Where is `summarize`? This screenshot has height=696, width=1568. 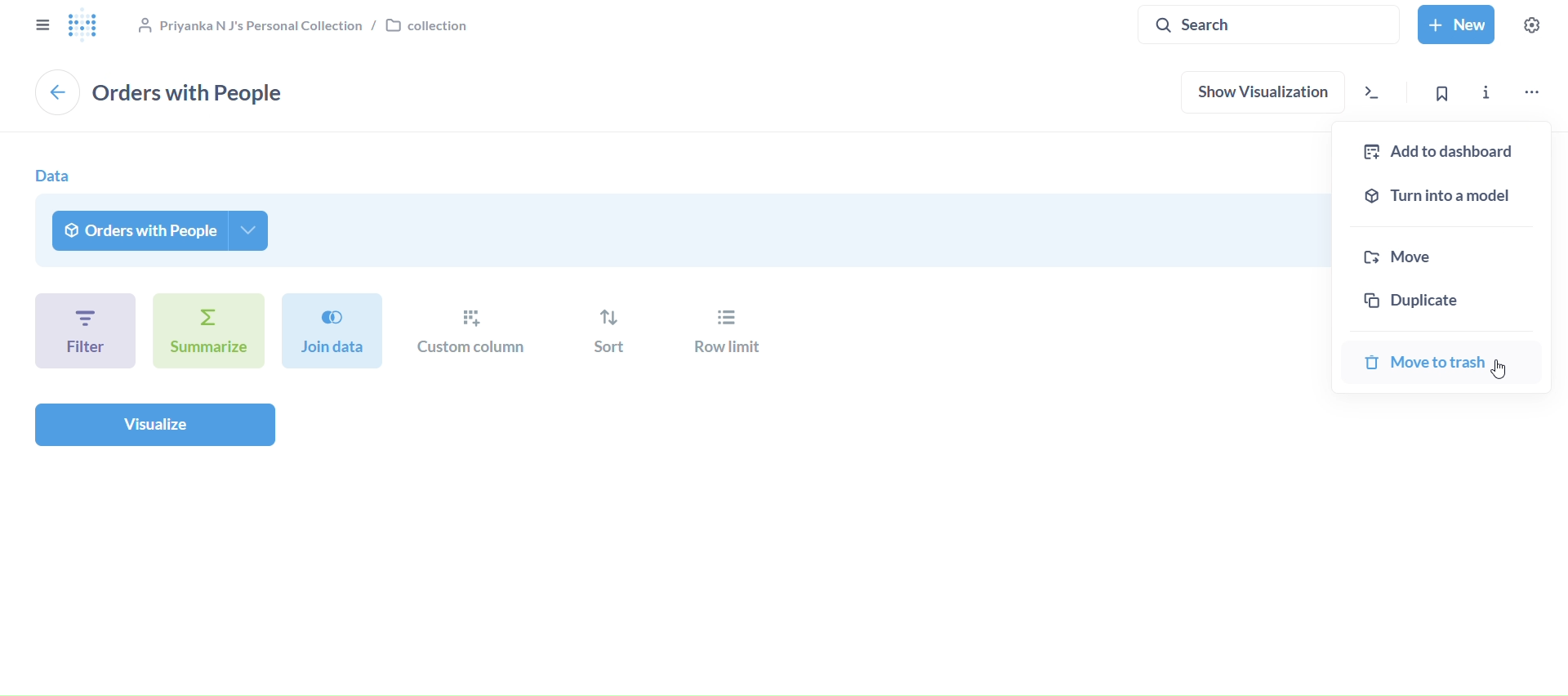 summarize is located at coordinates (204, 330).